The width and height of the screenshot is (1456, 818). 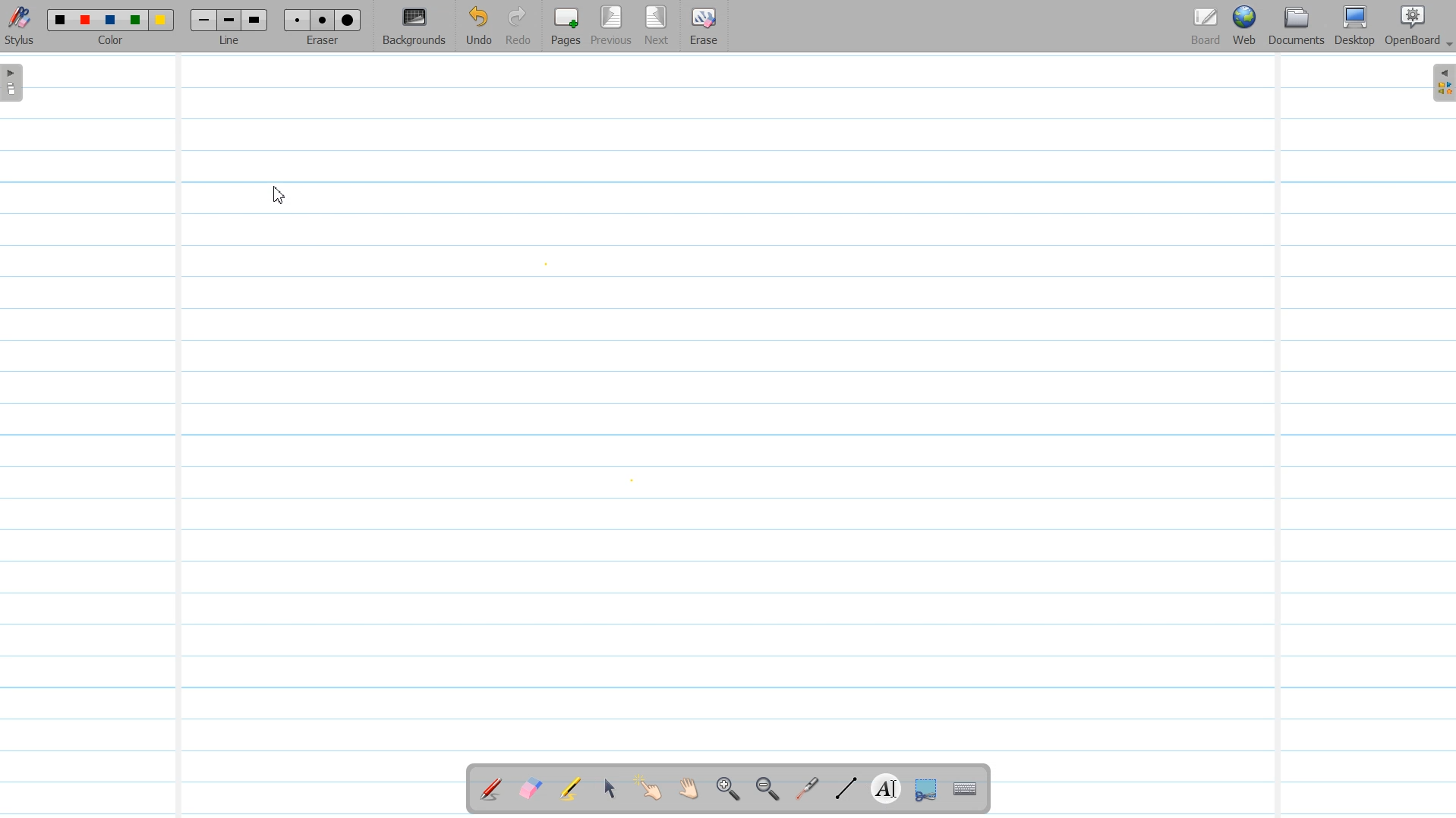 What do you see at coordinates (415, 27) in the screenshot?
I see `Background` at bounding box center [415, 27].